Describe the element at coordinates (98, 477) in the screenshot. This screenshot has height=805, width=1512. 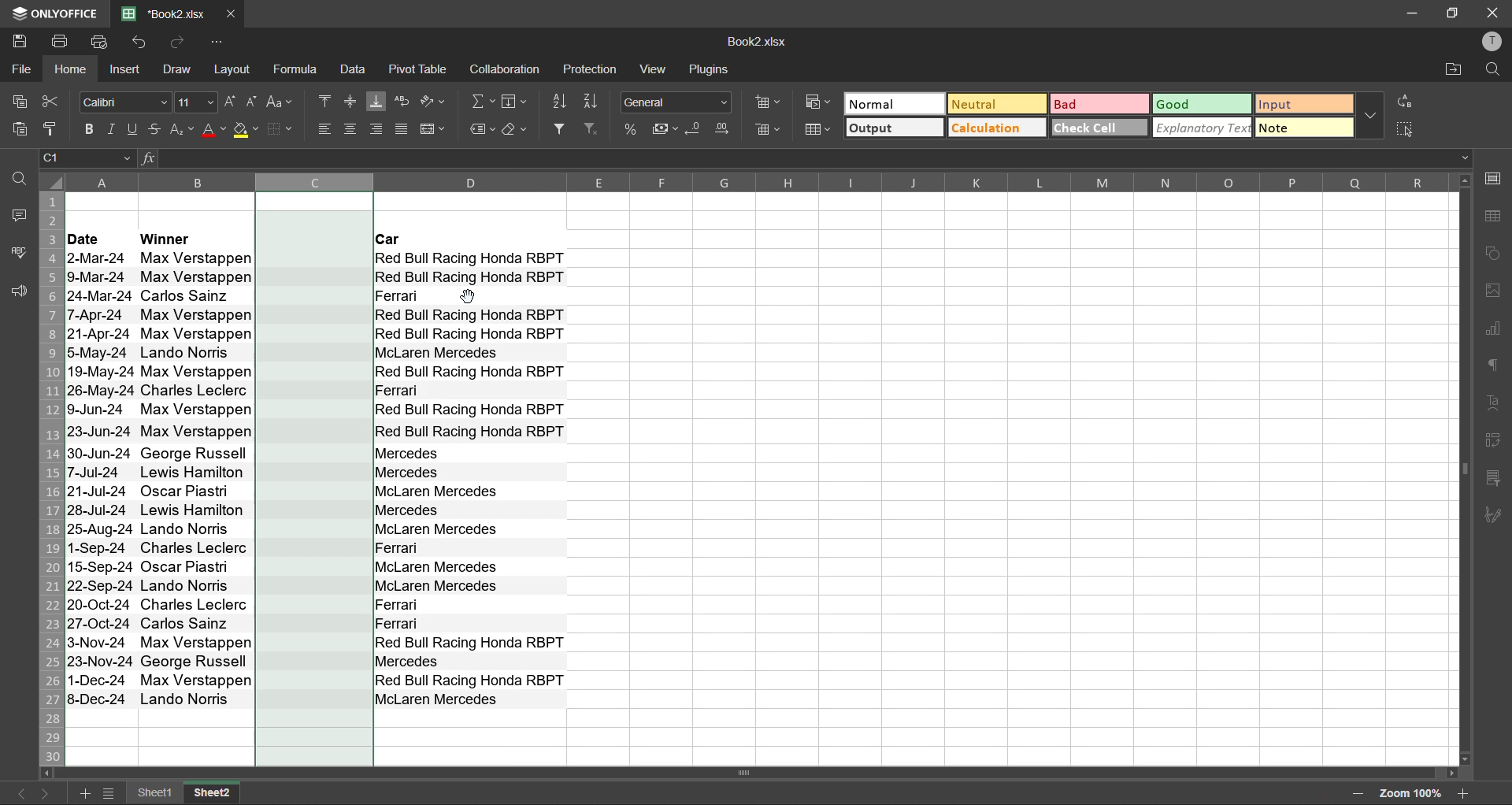
I see `2-Mar-24
9-Mar-24
24-Mar-24
7-Apr-24
21-Apr-24
5-May-24
19-May-24
26-May-24
9-Jun-24
23-Jun-24
30-Jun-24
7-Jul-24
21-Jul-24
28-Jul-24
25-Aug-24
1-Sep-24
15-Sep-24
22-Sep-24
20-Oct-24
27-Oct-24
3-Nov-24
23-Nov-24
1-Dec-24
8.Dec-24` at that location.